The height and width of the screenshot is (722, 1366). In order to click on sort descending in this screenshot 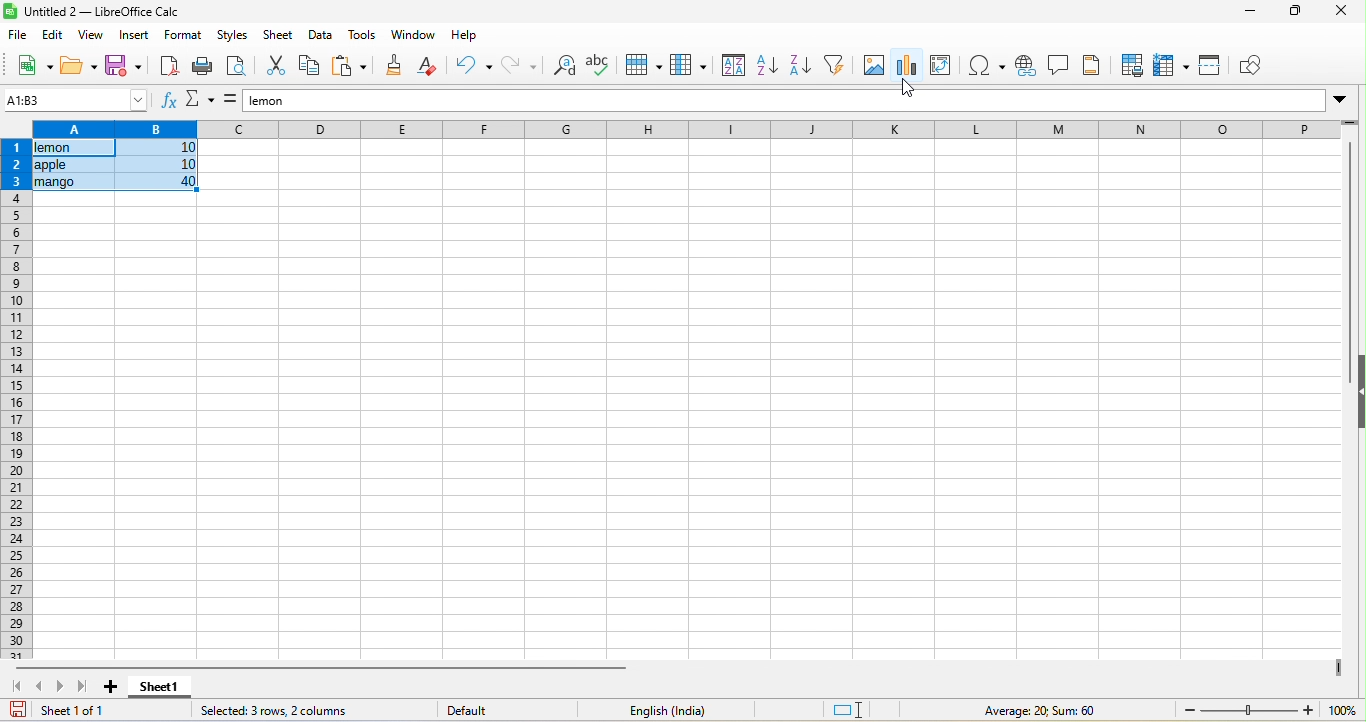, I will do `click(800, 68)`.